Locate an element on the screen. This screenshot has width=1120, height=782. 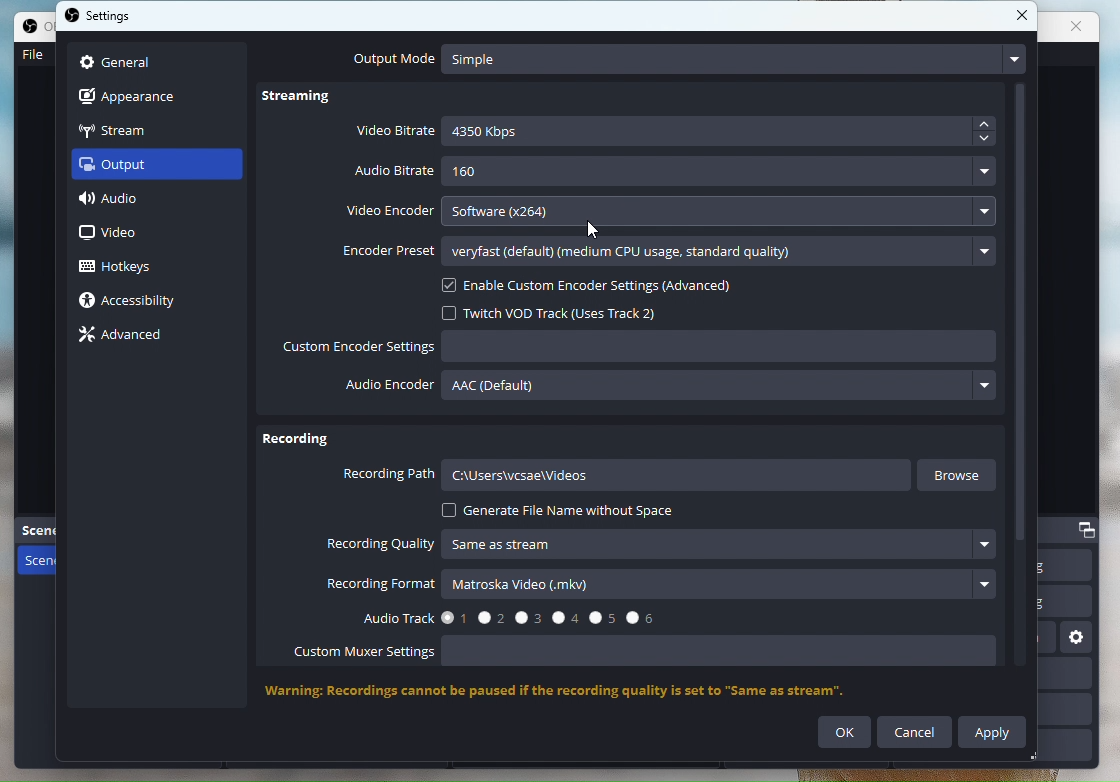
Recording path is located at coordinates (626, 478).